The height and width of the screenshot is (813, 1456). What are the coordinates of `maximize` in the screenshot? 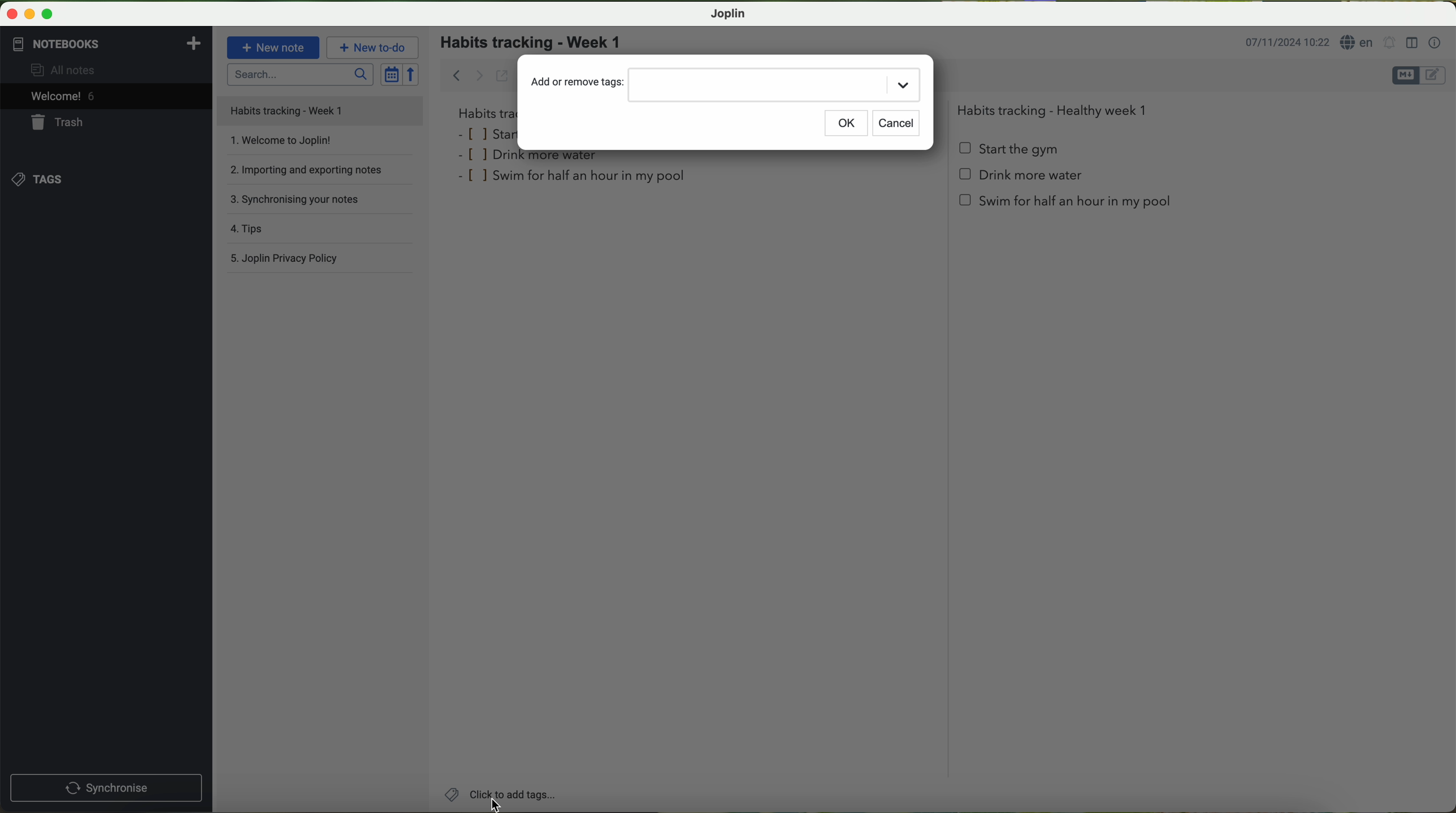 It's located at (48, 14).